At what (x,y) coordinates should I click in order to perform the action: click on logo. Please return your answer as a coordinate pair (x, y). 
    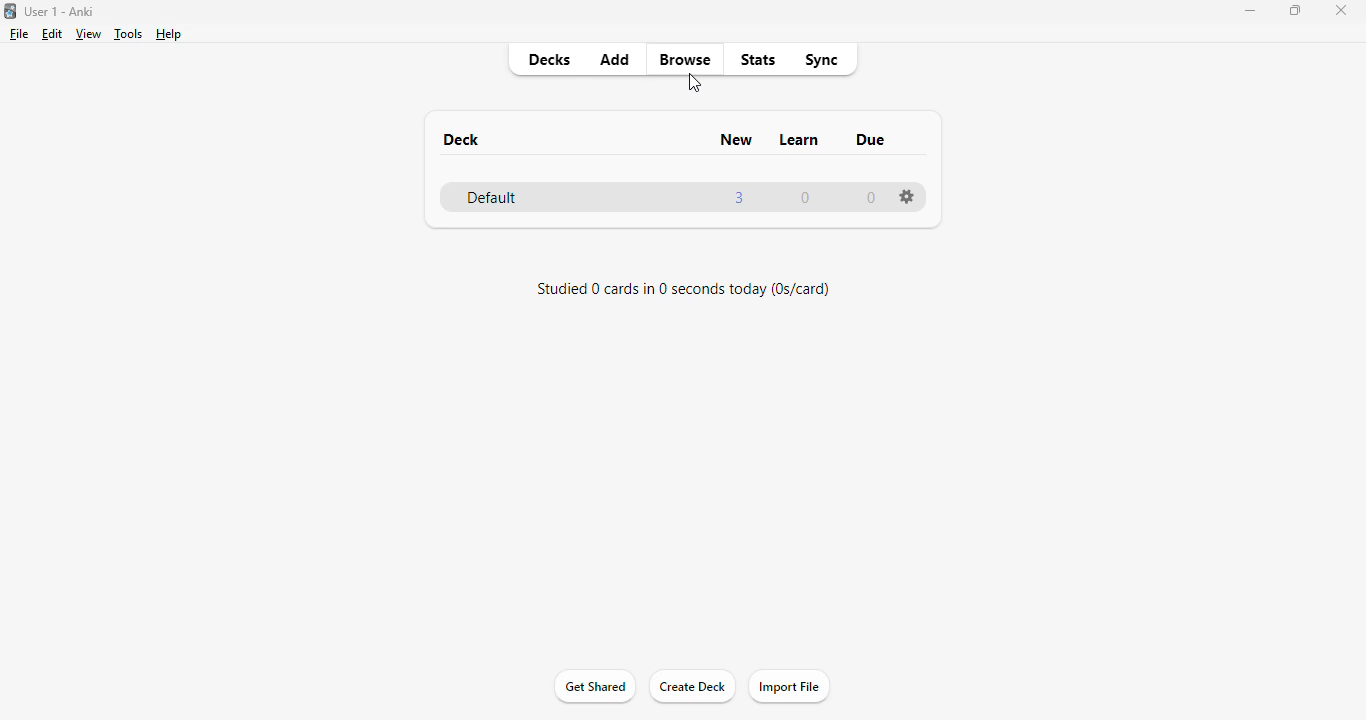
    Looking at the image, I should click on (10, 11).